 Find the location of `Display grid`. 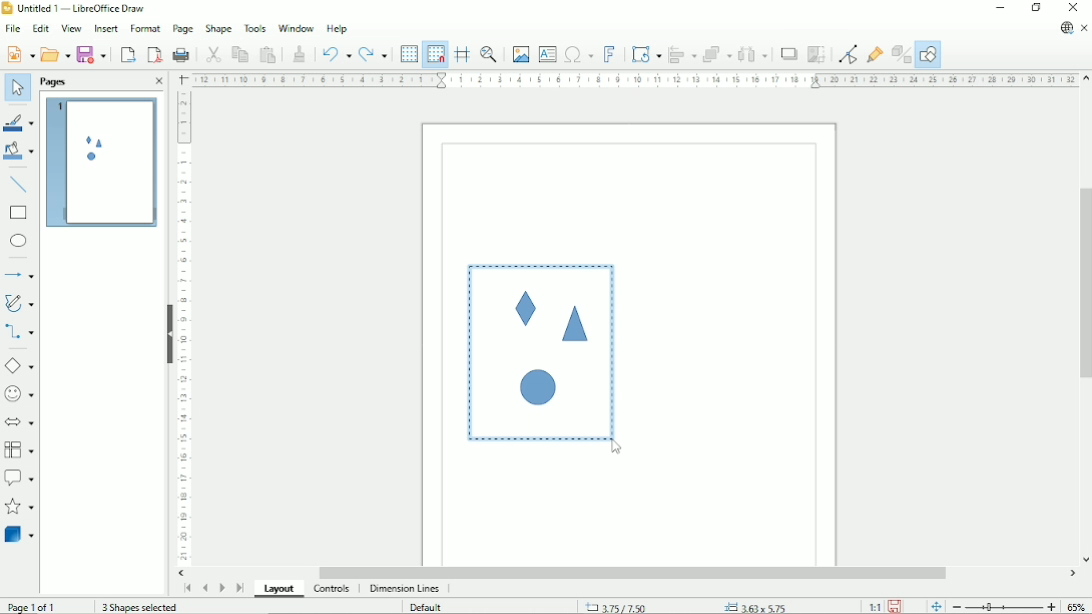

Display grid is located at coordinates (408, 53).